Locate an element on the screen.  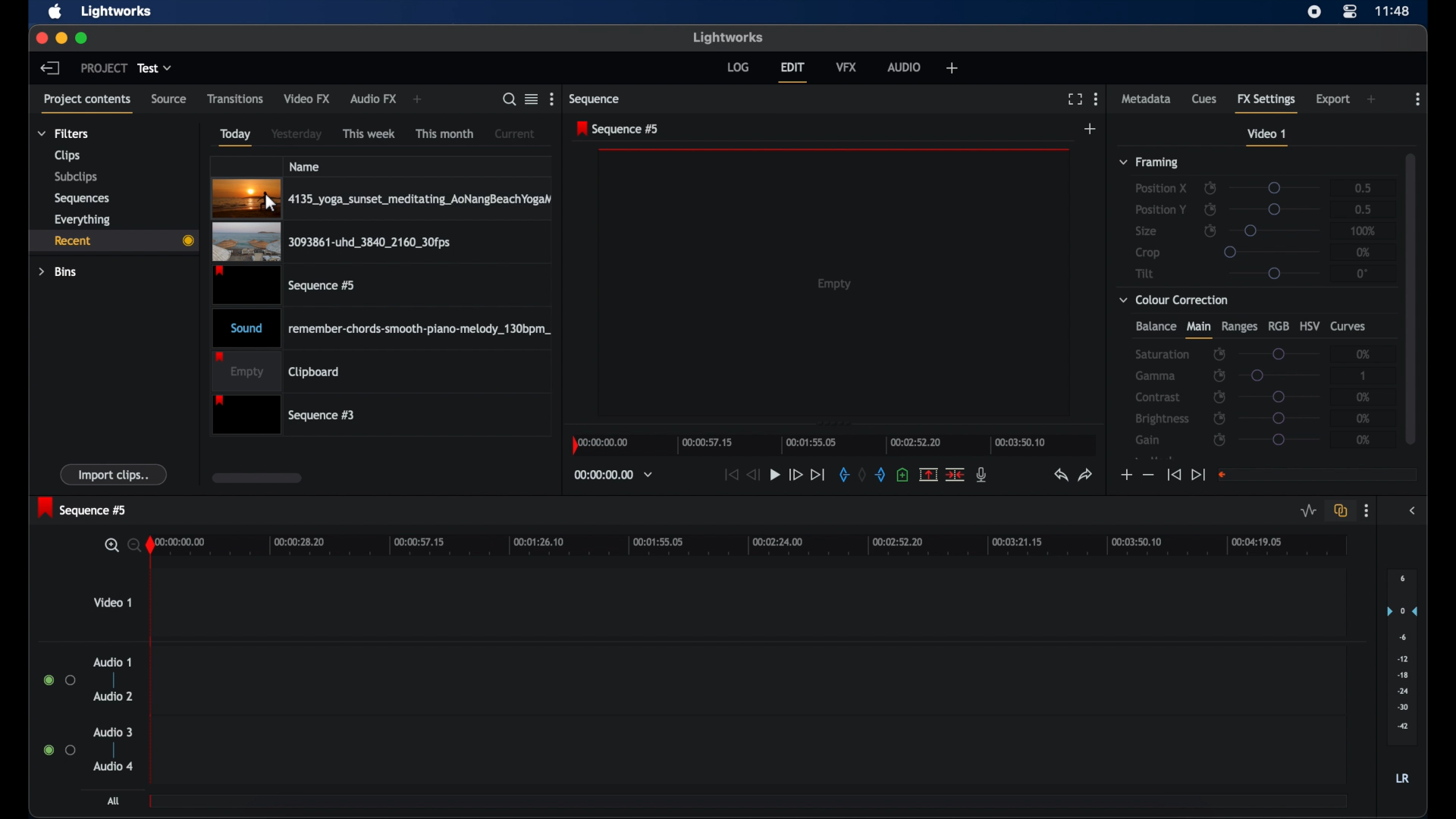
minimize is located at coordinates (58, 38).